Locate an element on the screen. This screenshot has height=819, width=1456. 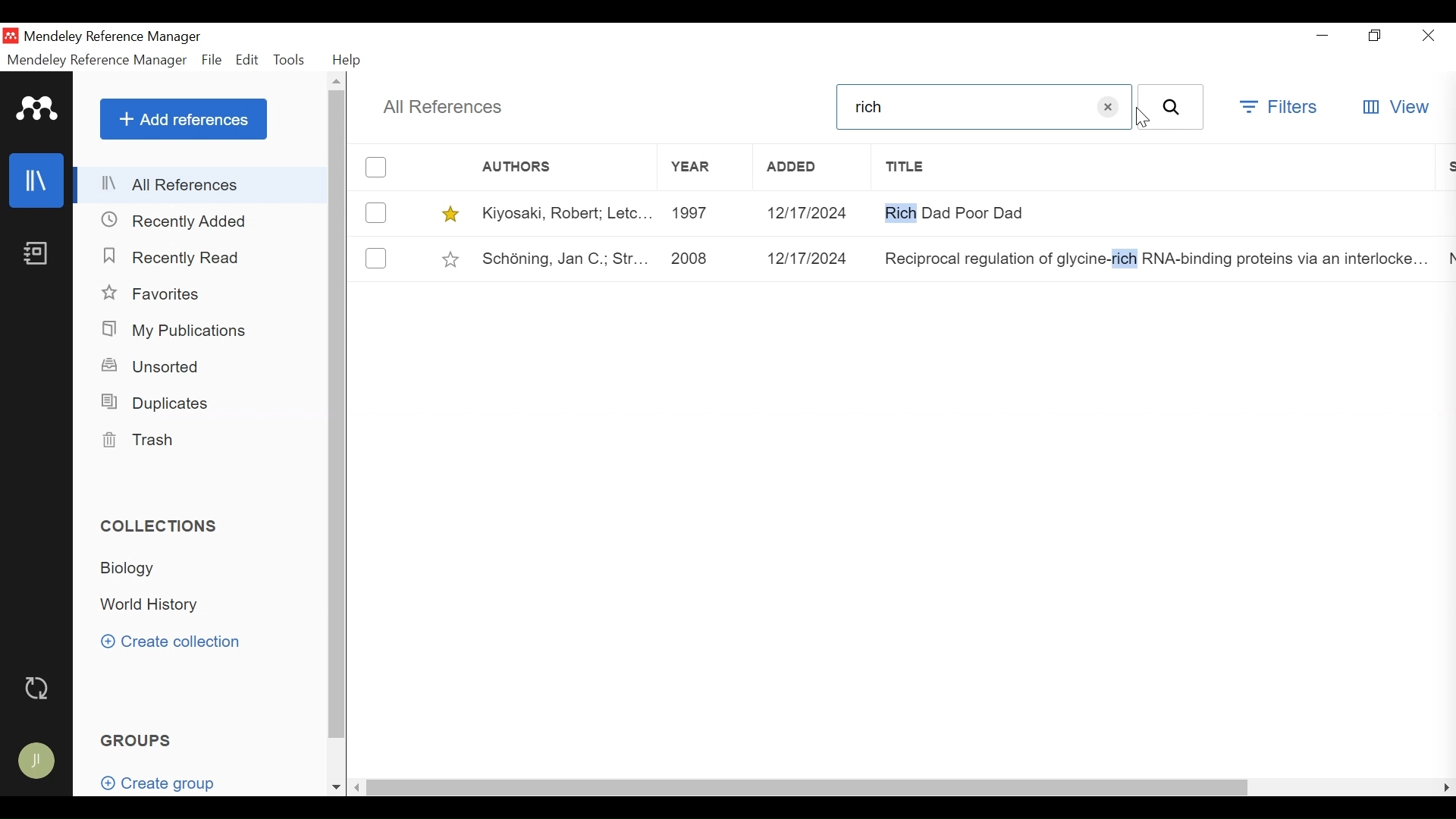
Create Group is located at coordinates (156, 778).